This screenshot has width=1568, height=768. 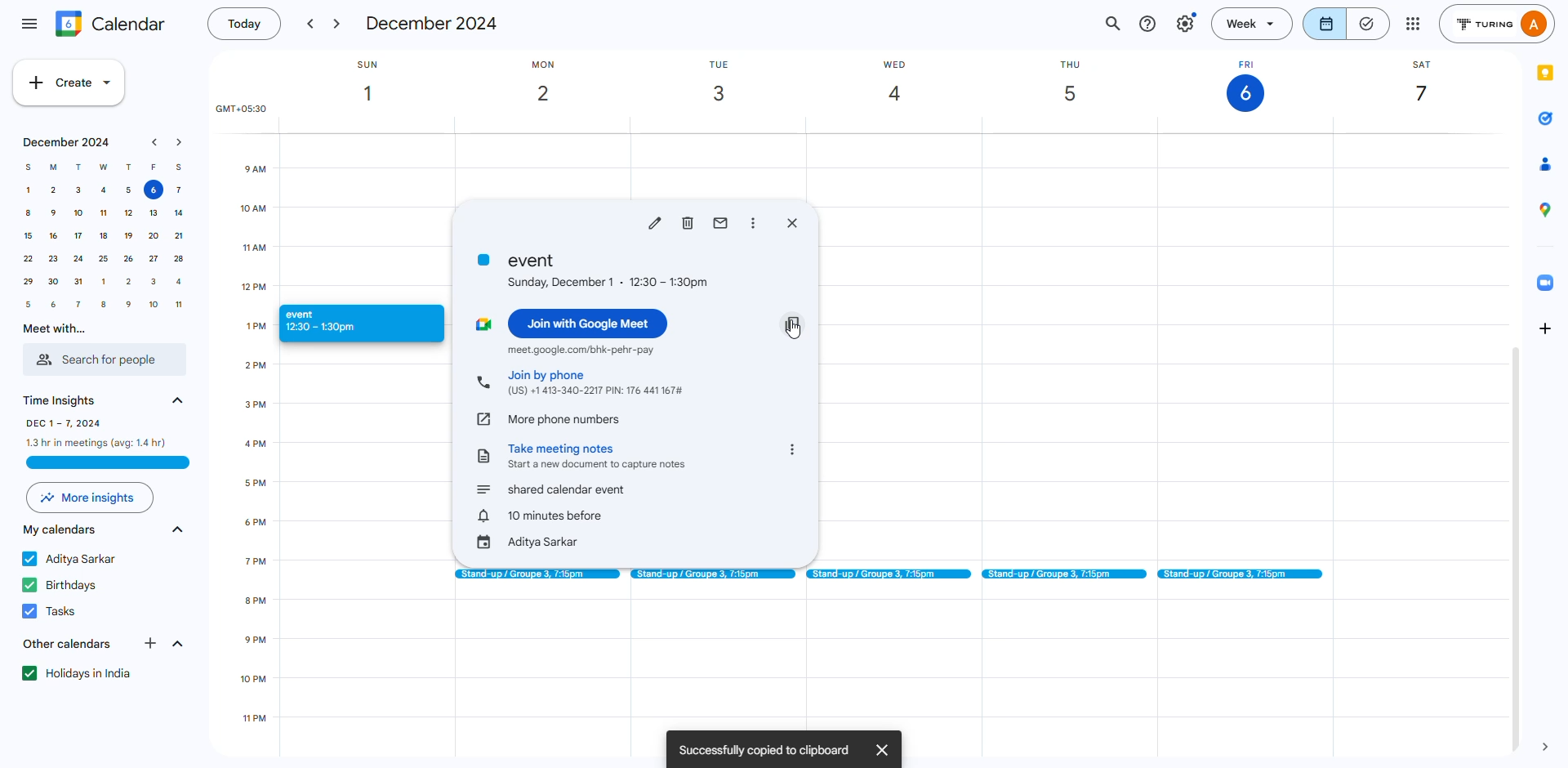 What do you see at coordinates (152, 259) in the screenshot?
I see `27` at bounding box center [152, 259].